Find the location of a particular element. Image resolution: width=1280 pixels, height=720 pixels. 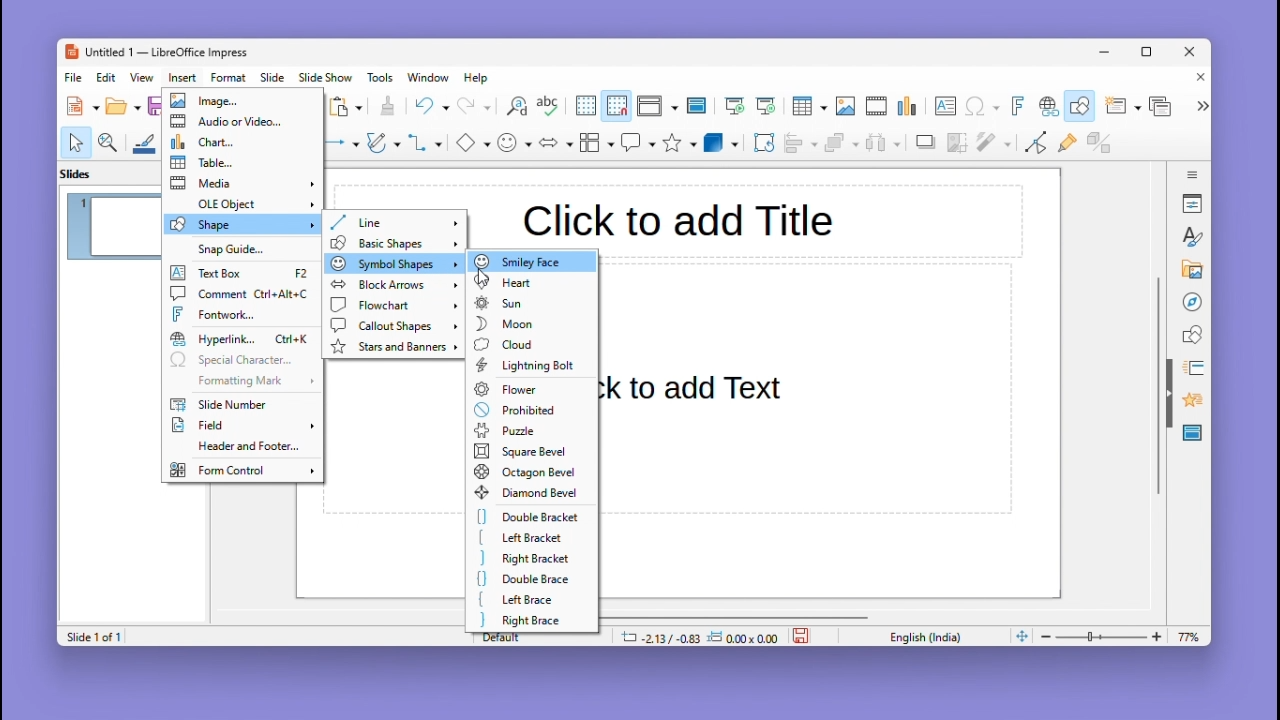

Call out shapes is located at coordinates (392, 325).